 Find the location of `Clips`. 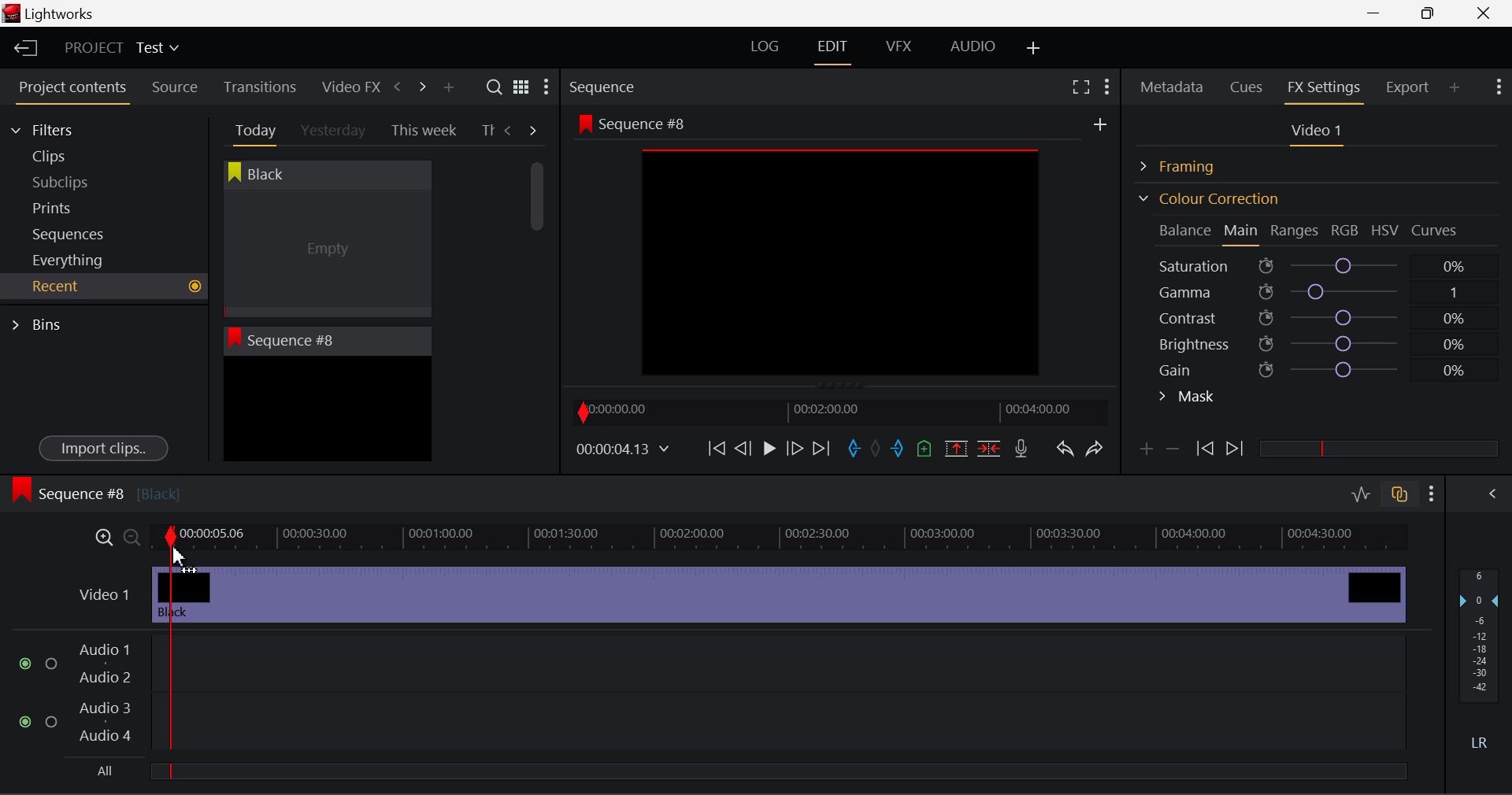

Clips is located at coordinates (77, 156).